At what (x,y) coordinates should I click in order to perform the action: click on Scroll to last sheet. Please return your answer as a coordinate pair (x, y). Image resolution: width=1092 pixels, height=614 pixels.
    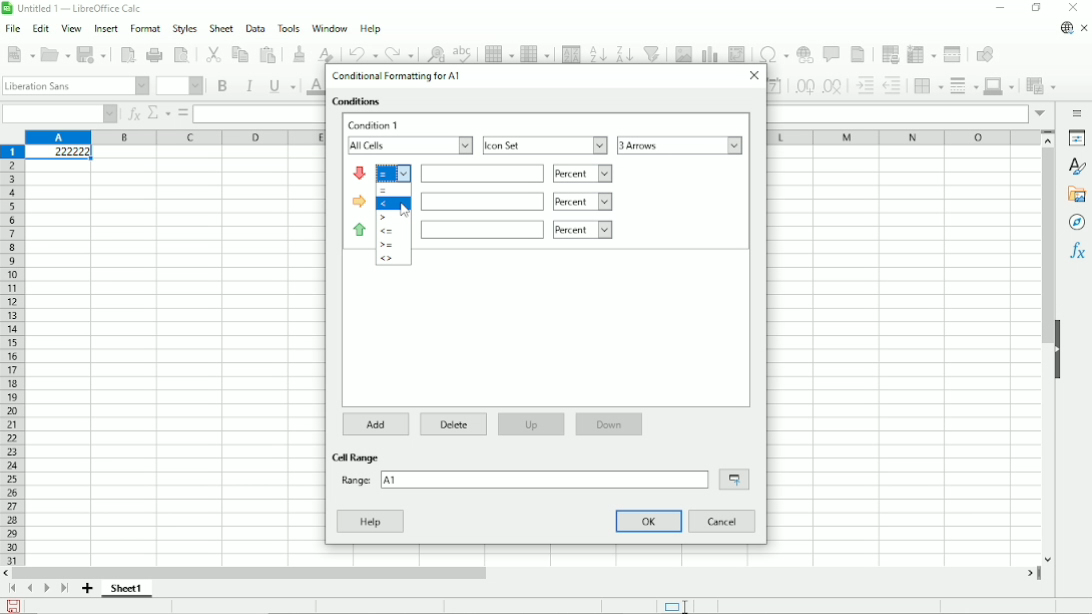
    Looking at the image, I should click on (64, 589).